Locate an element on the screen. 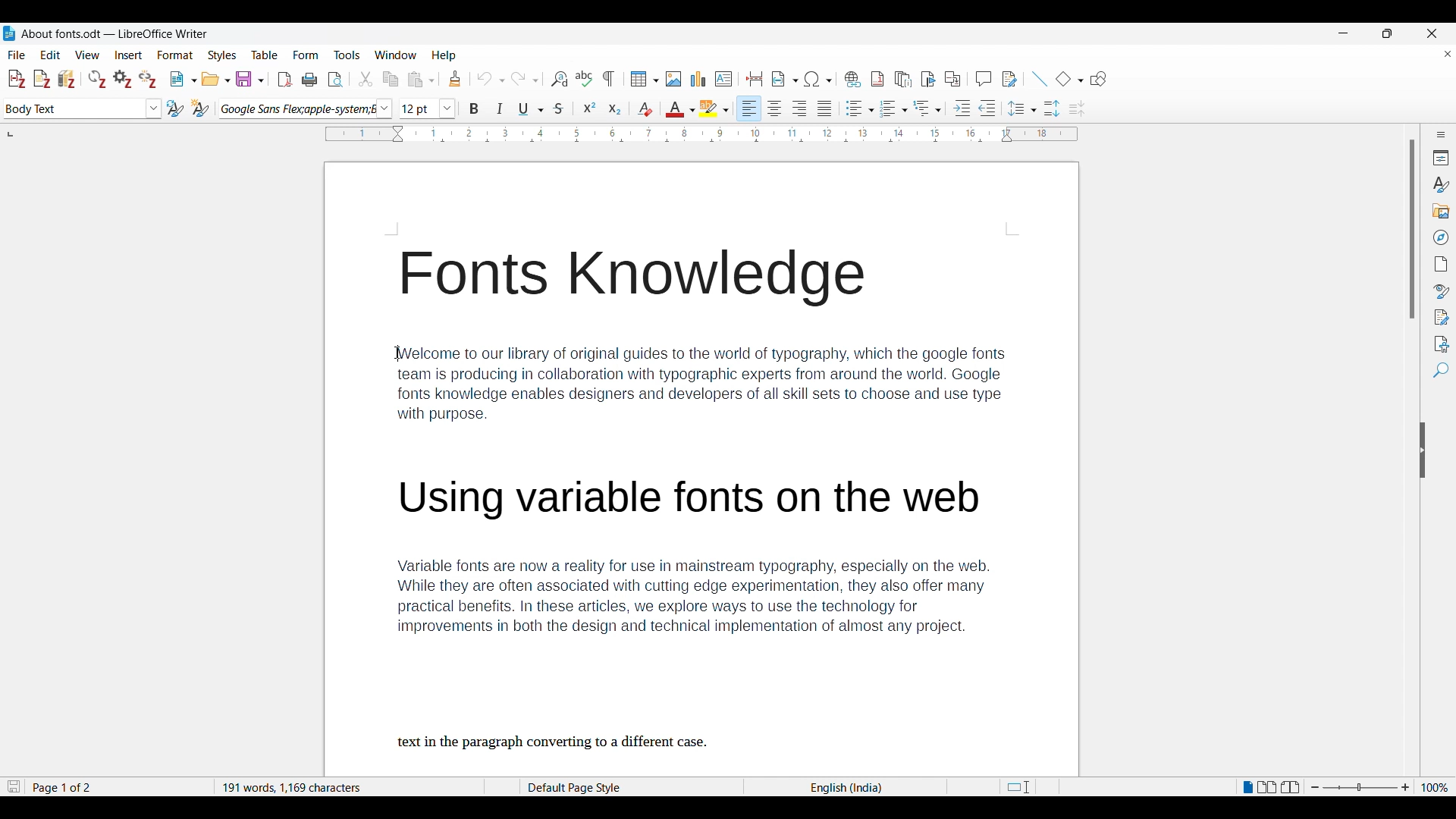 The width and height of the screenshot is (1456, 819). Single page view is located at coordinates (1247, 786).